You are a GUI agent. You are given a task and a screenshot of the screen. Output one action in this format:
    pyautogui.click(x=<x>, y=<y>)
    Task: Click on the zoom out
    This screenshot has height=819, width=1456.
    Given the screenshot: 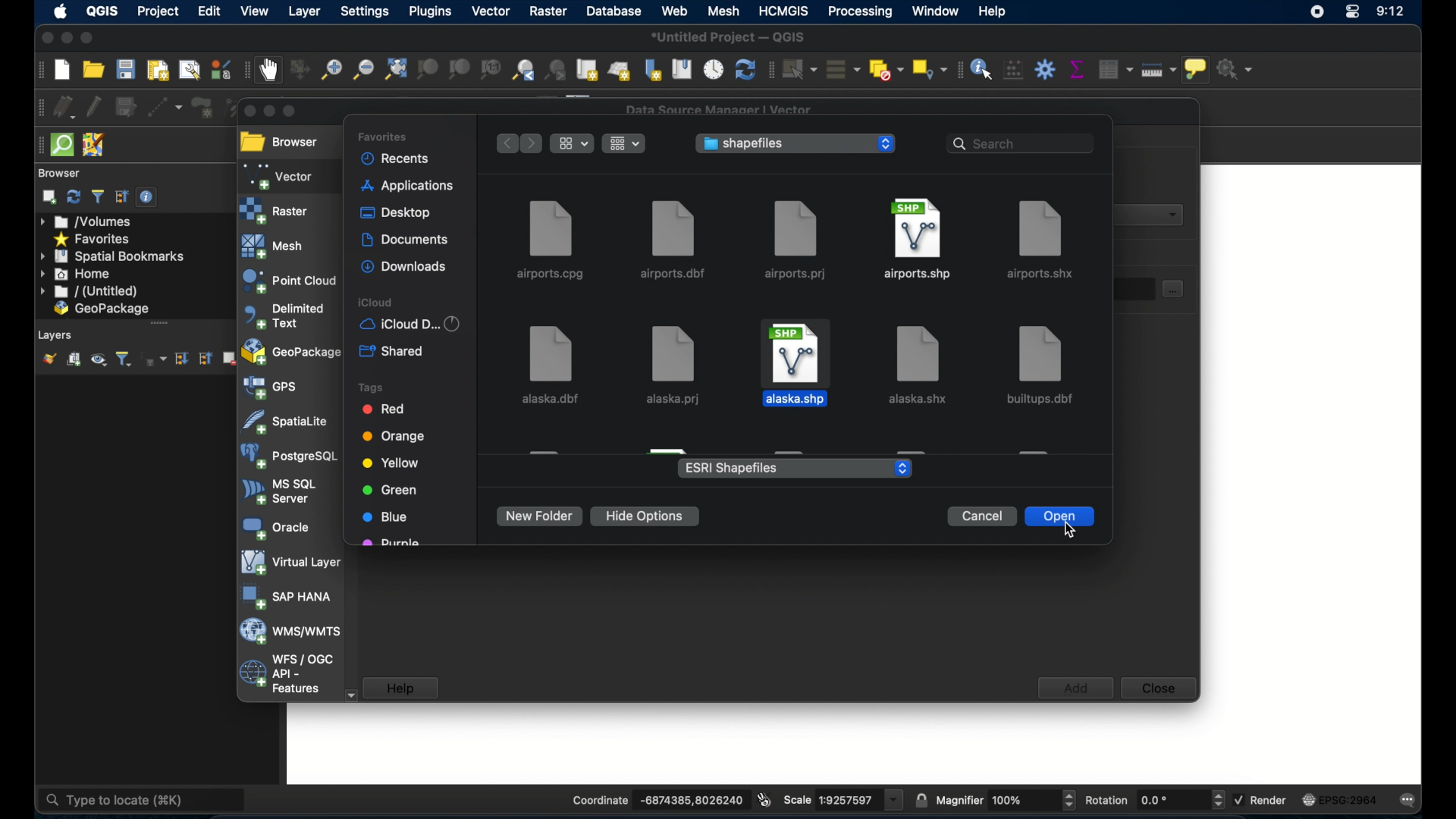 What is the action you would take?
    pyautogui.click(x=362, y=72)
    